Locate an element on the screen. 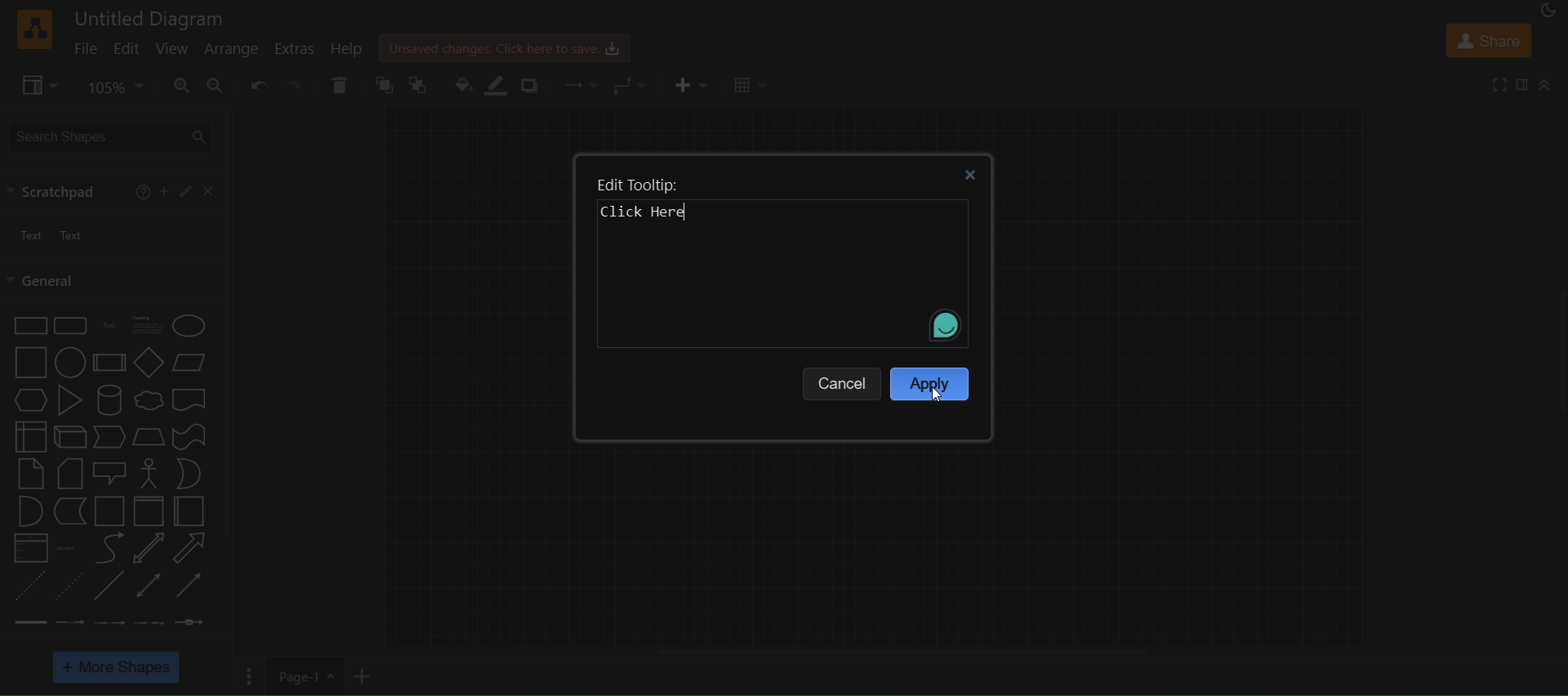 Image resolution: width=1568 pixels, height=696 pixels. more shapes is located at coordinates (118, 667).